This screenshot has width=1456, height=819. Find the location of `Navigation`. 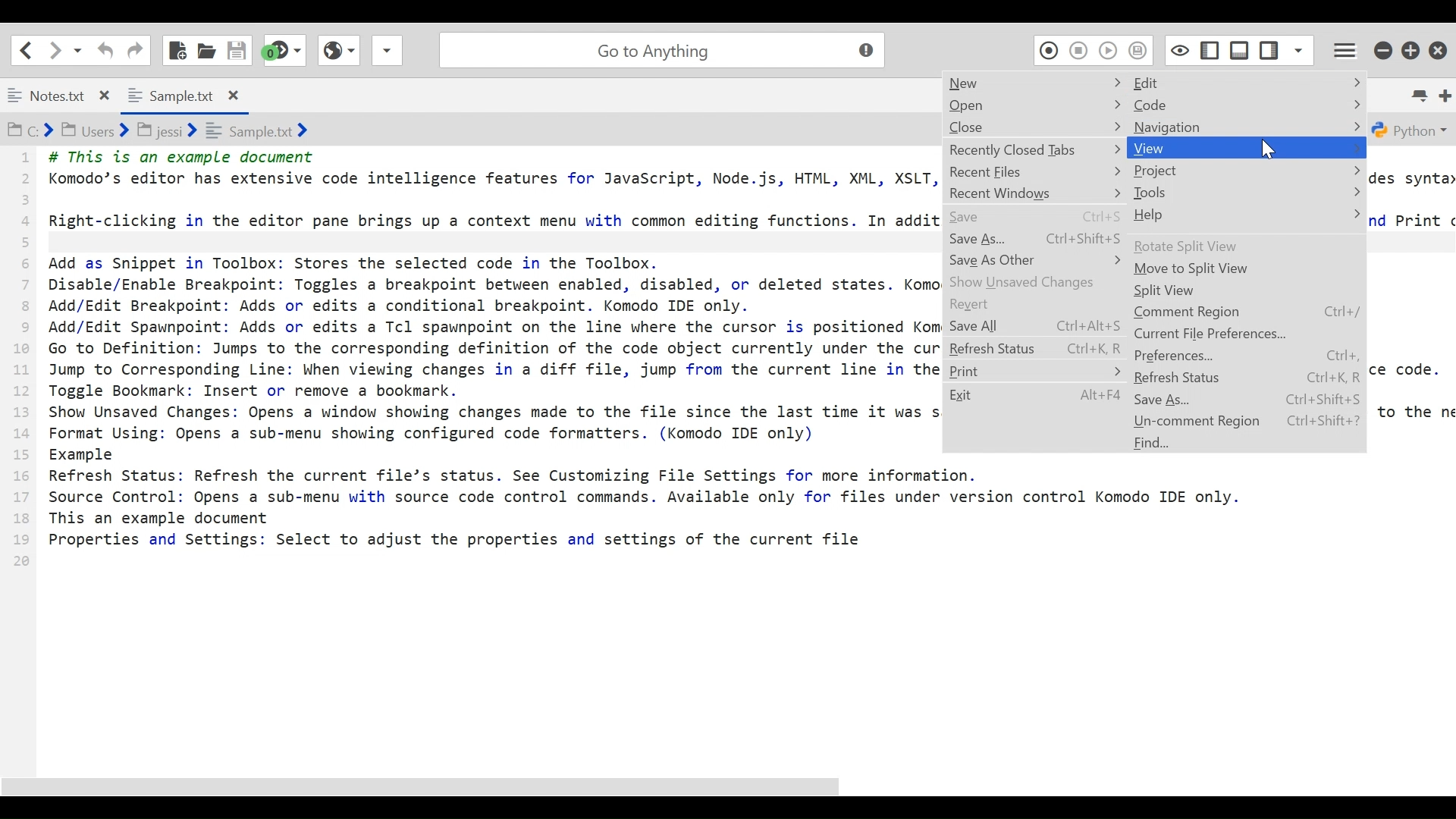

Navigation is located at coordinates (1248, 127).